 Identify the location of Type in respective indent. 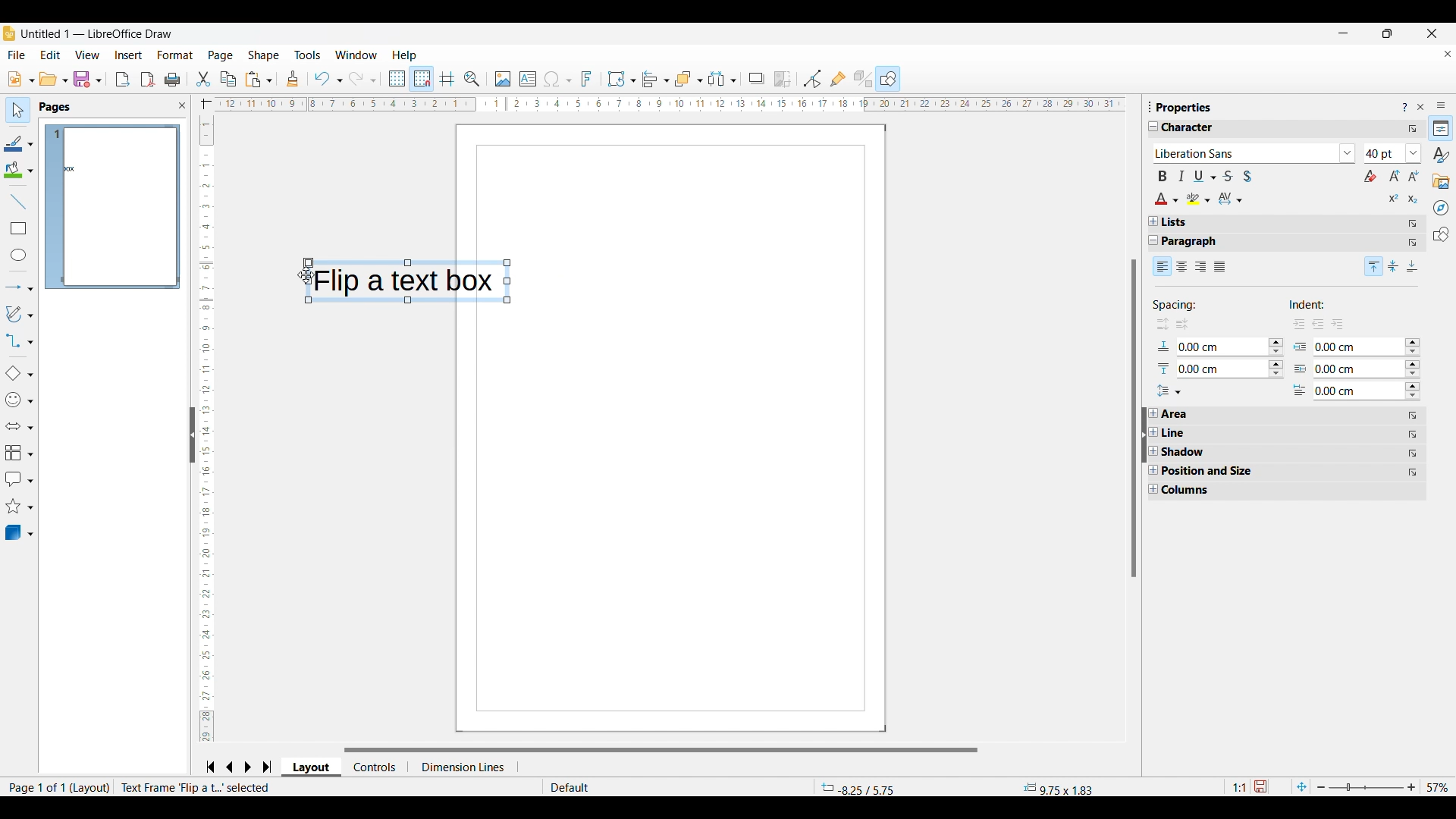
(1352, 390).